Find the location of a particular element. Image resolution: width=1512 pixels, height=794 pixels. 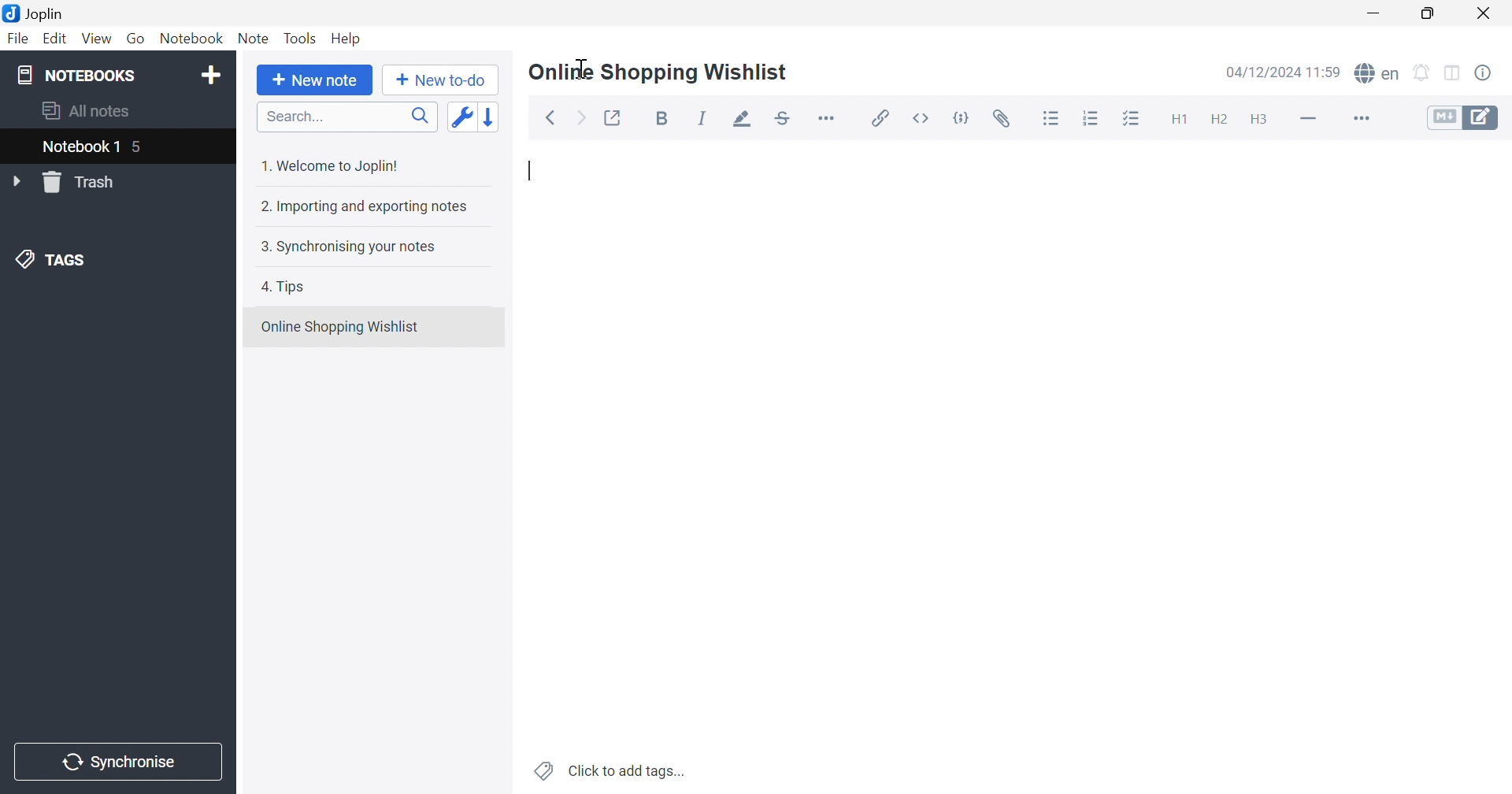

1. Welcome to Joplin! is located at coordinates (329, 167).